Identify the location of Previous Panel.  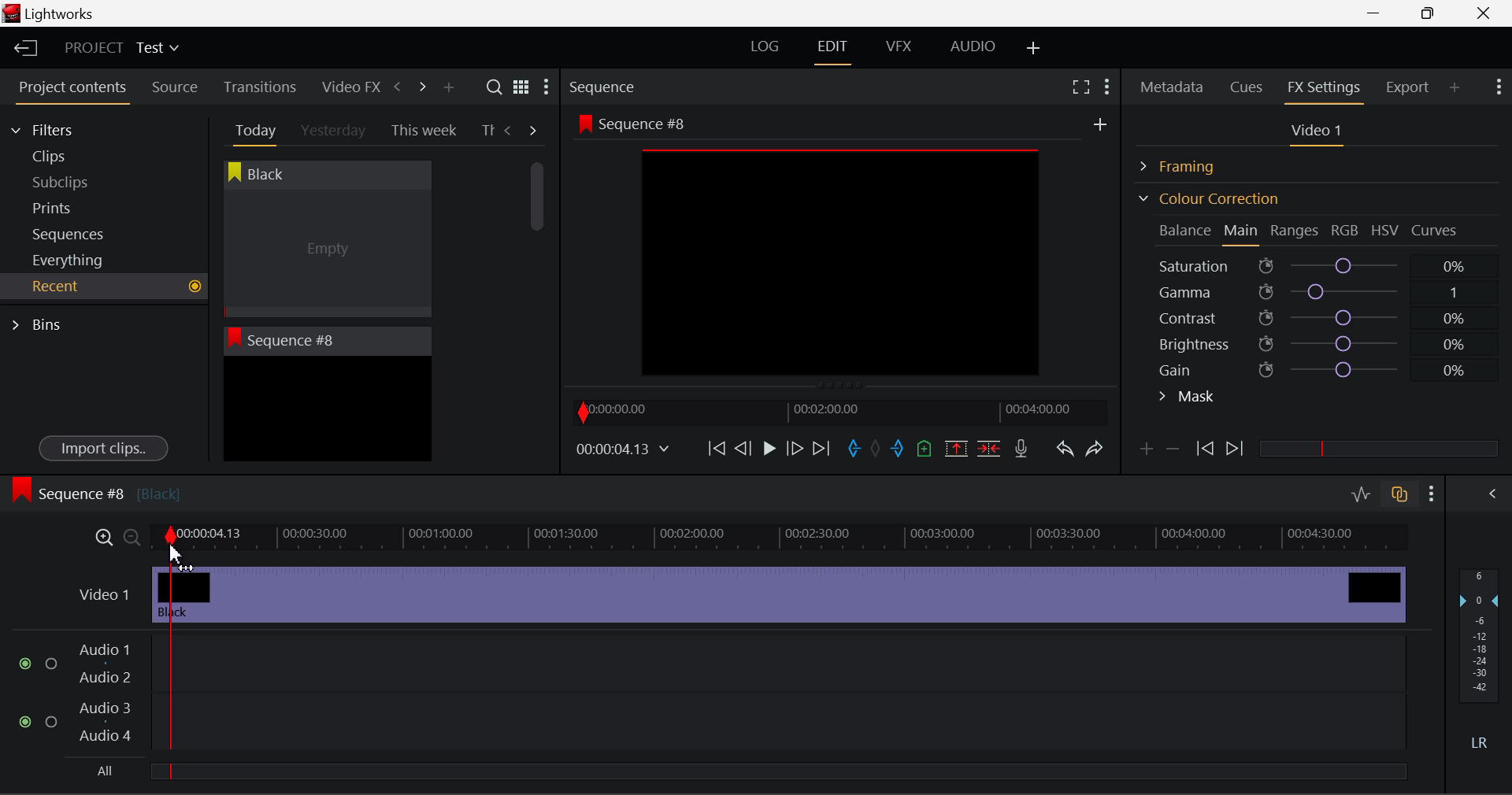
(397, 87).